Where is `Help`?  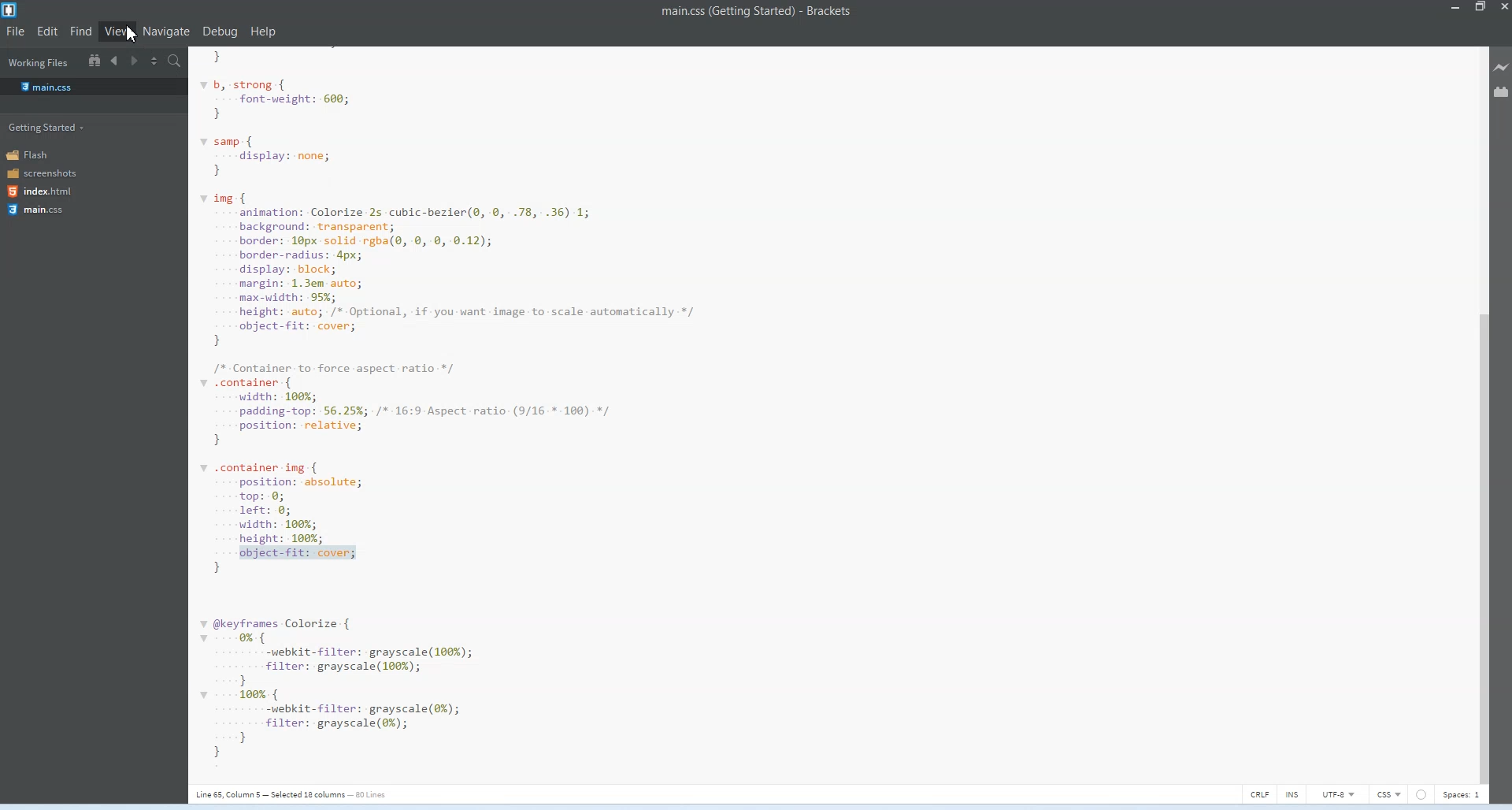
Help is located at coordinates (263, 31).